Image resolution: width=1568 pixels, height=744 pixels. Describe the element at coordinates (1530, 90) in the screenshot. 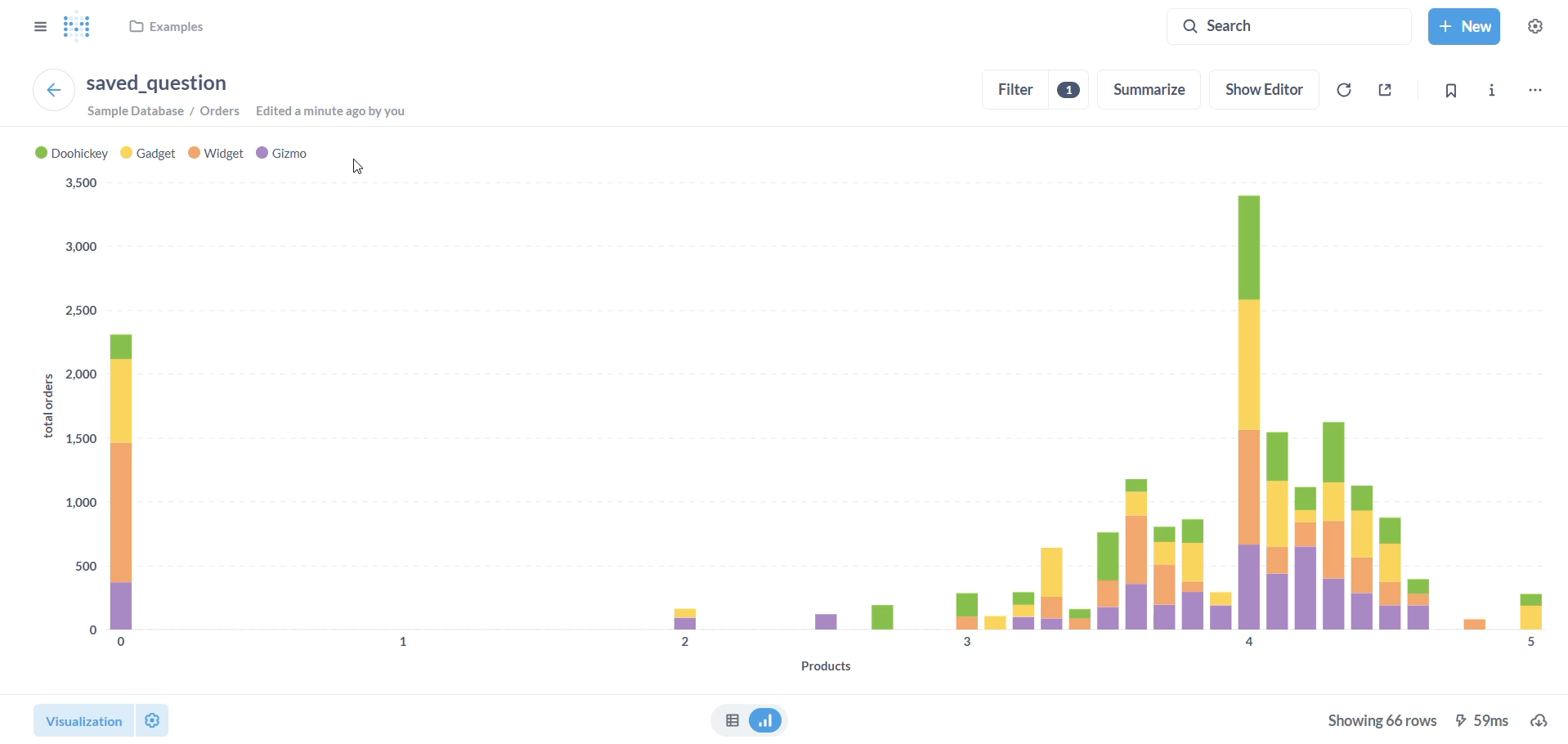

I see `more options` at that location.